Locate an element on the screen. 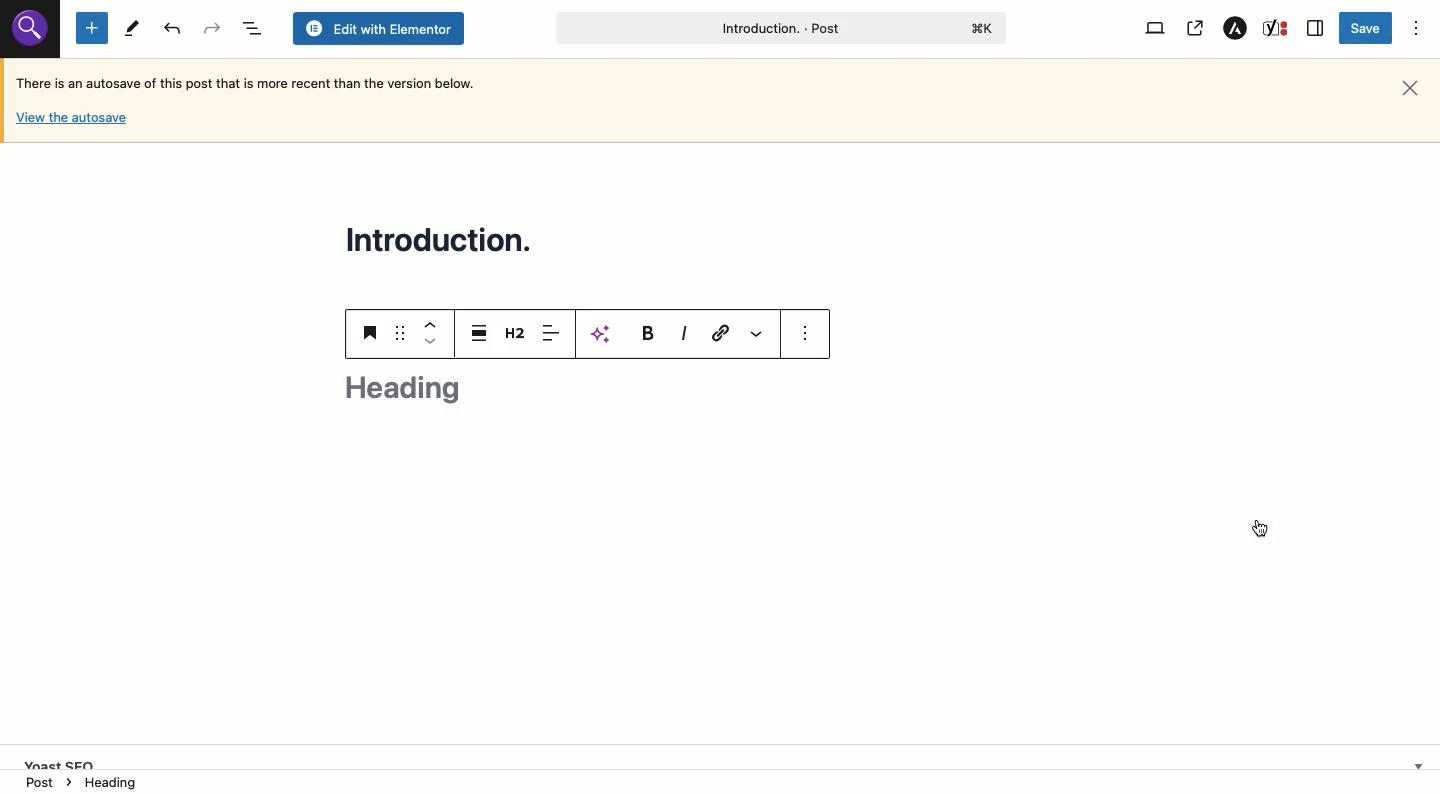  Options is located at coordinates (1417, 29).